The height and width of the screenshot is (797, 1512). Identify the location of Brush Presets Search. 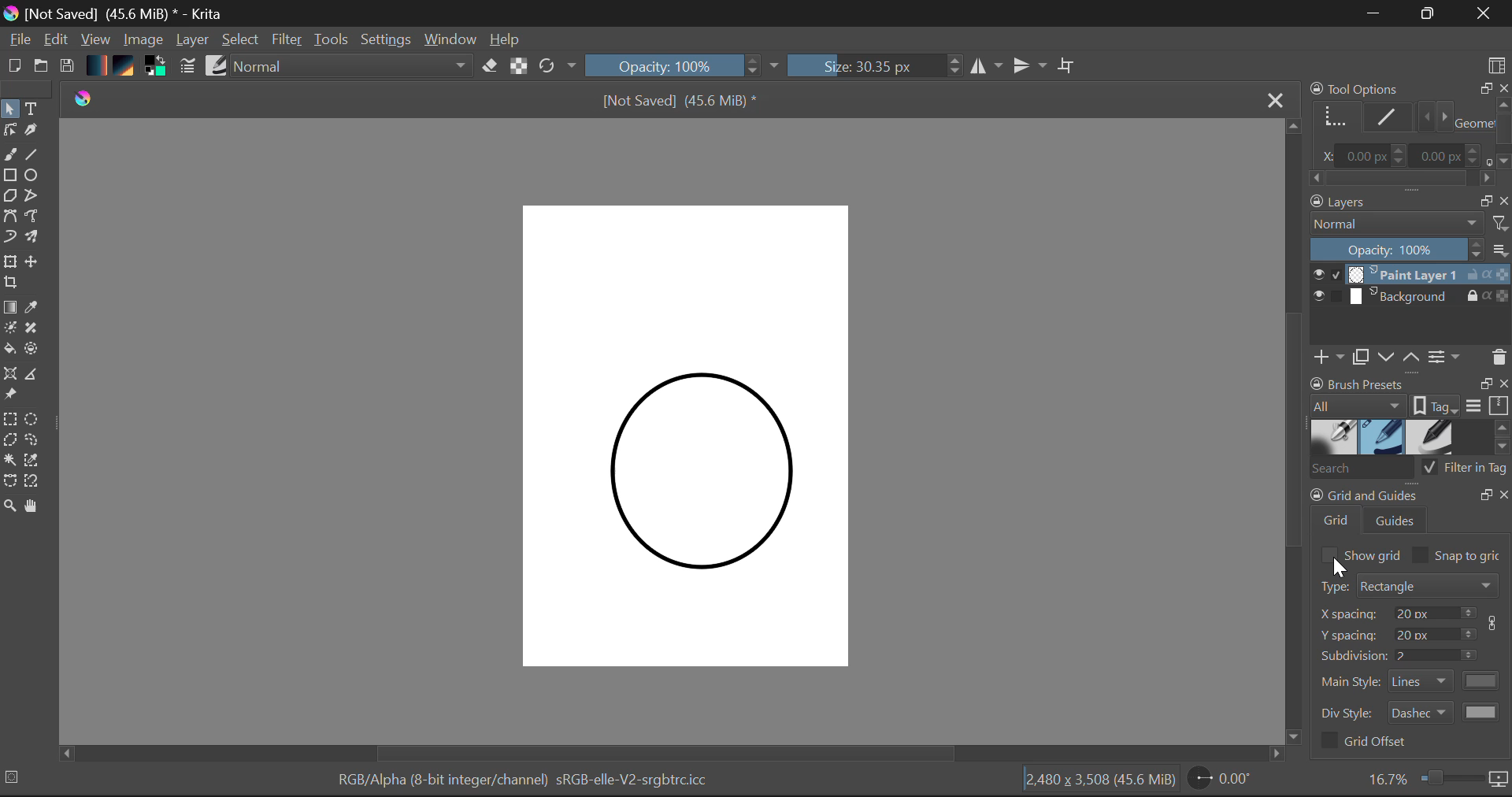
(1410, 472).